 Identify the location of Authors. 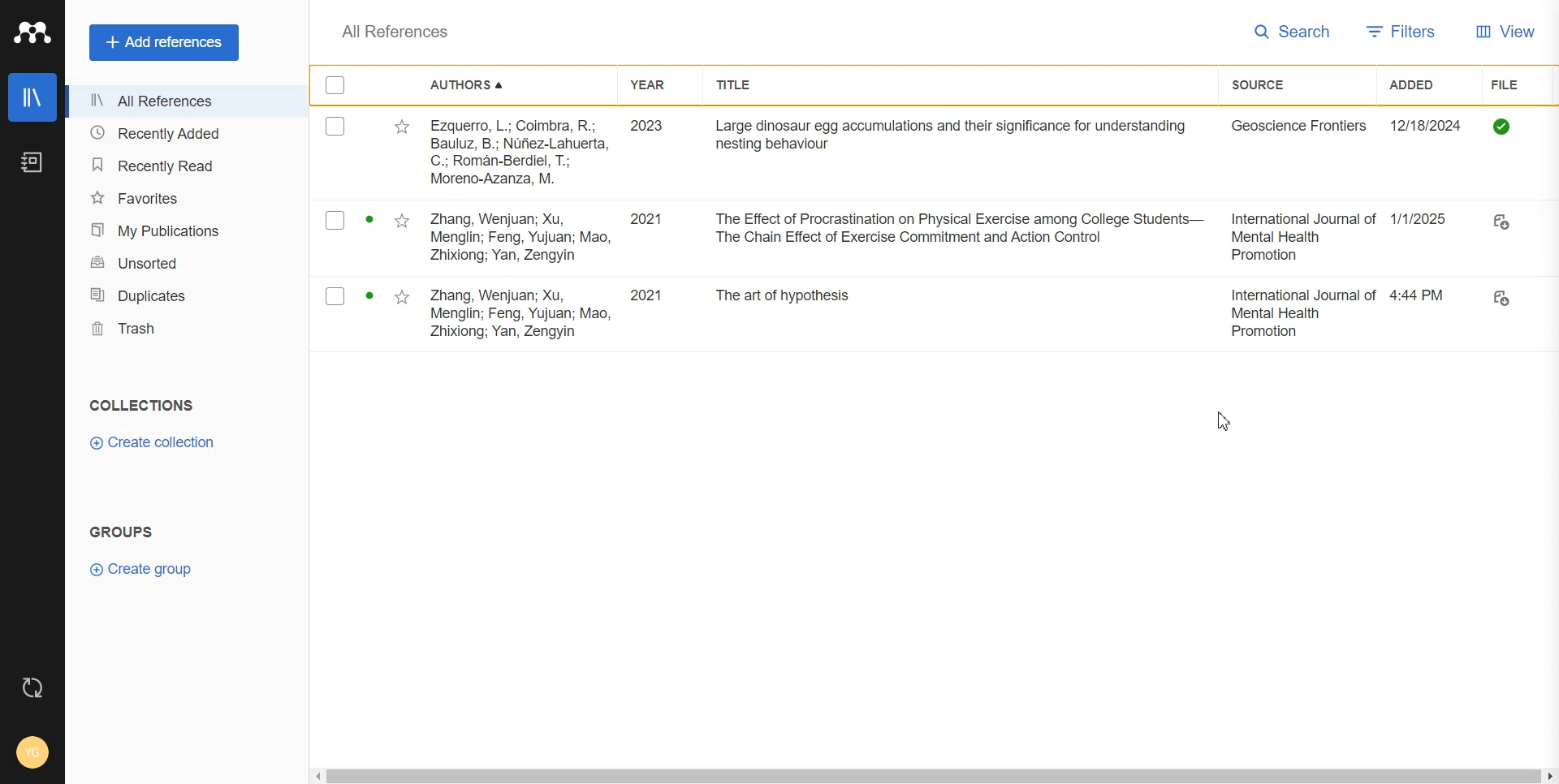
(473, 86).